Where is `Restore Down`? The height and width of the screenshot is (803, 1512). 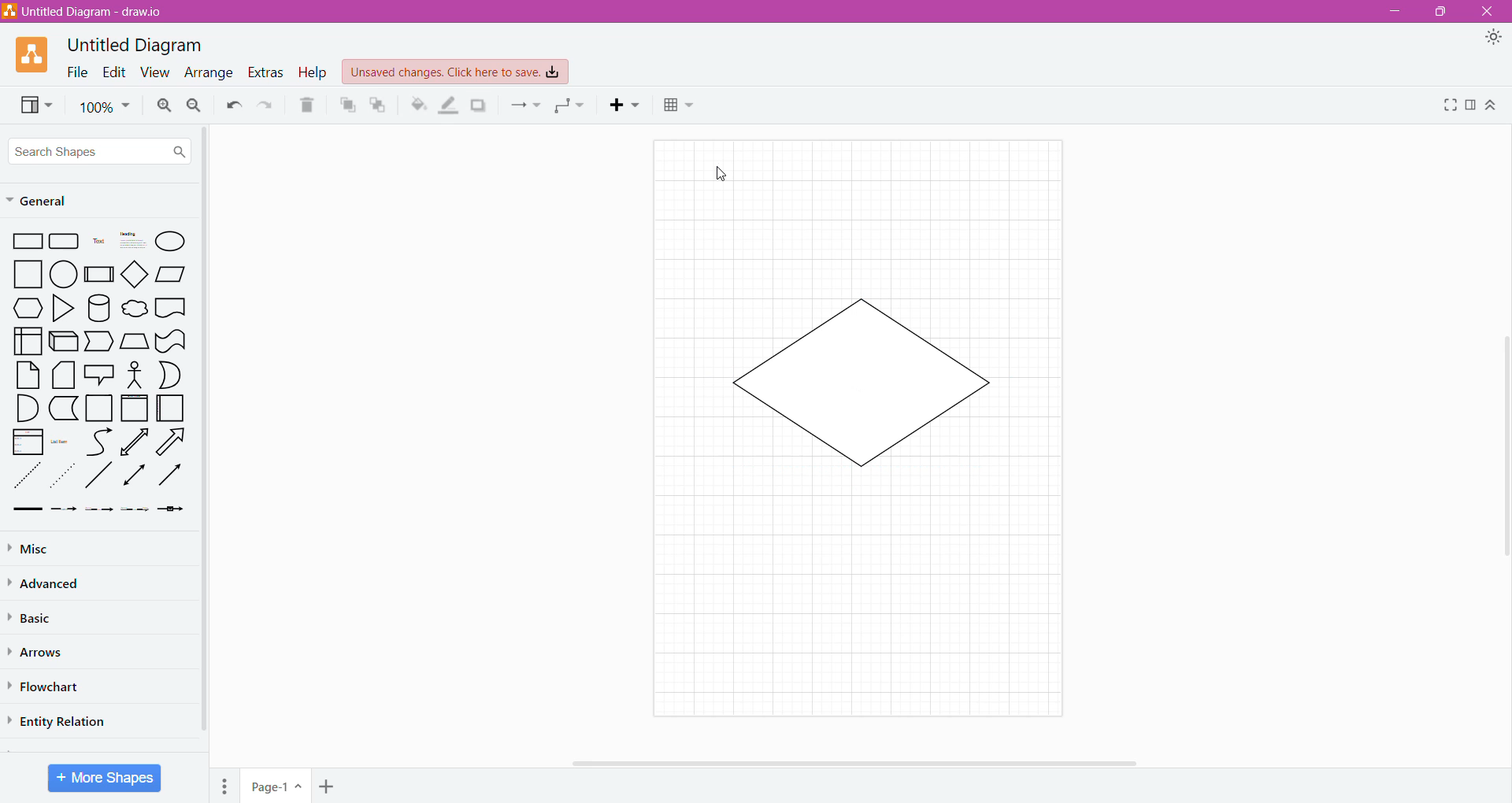
Restore Down is located at coordinates (1443, 12).